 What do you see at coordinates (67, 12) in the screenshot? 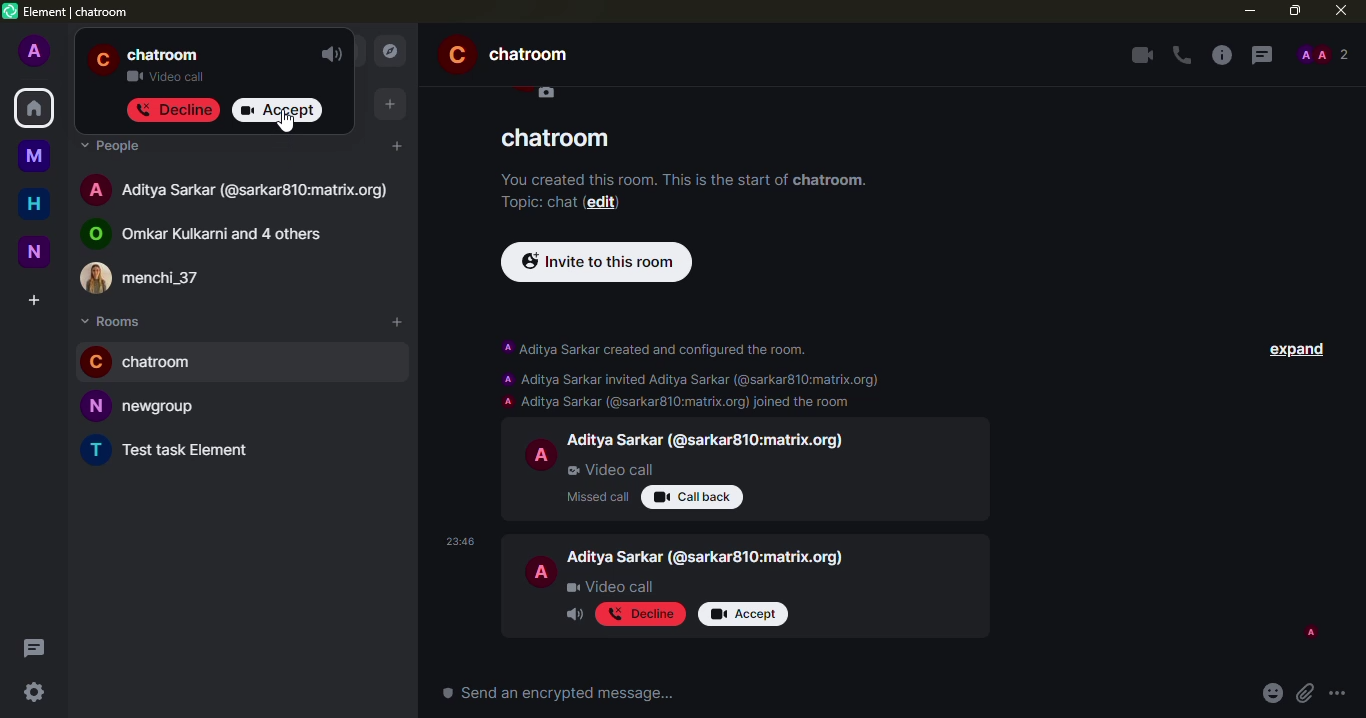
I see `element chatroom` at bounding box center [67, 12].